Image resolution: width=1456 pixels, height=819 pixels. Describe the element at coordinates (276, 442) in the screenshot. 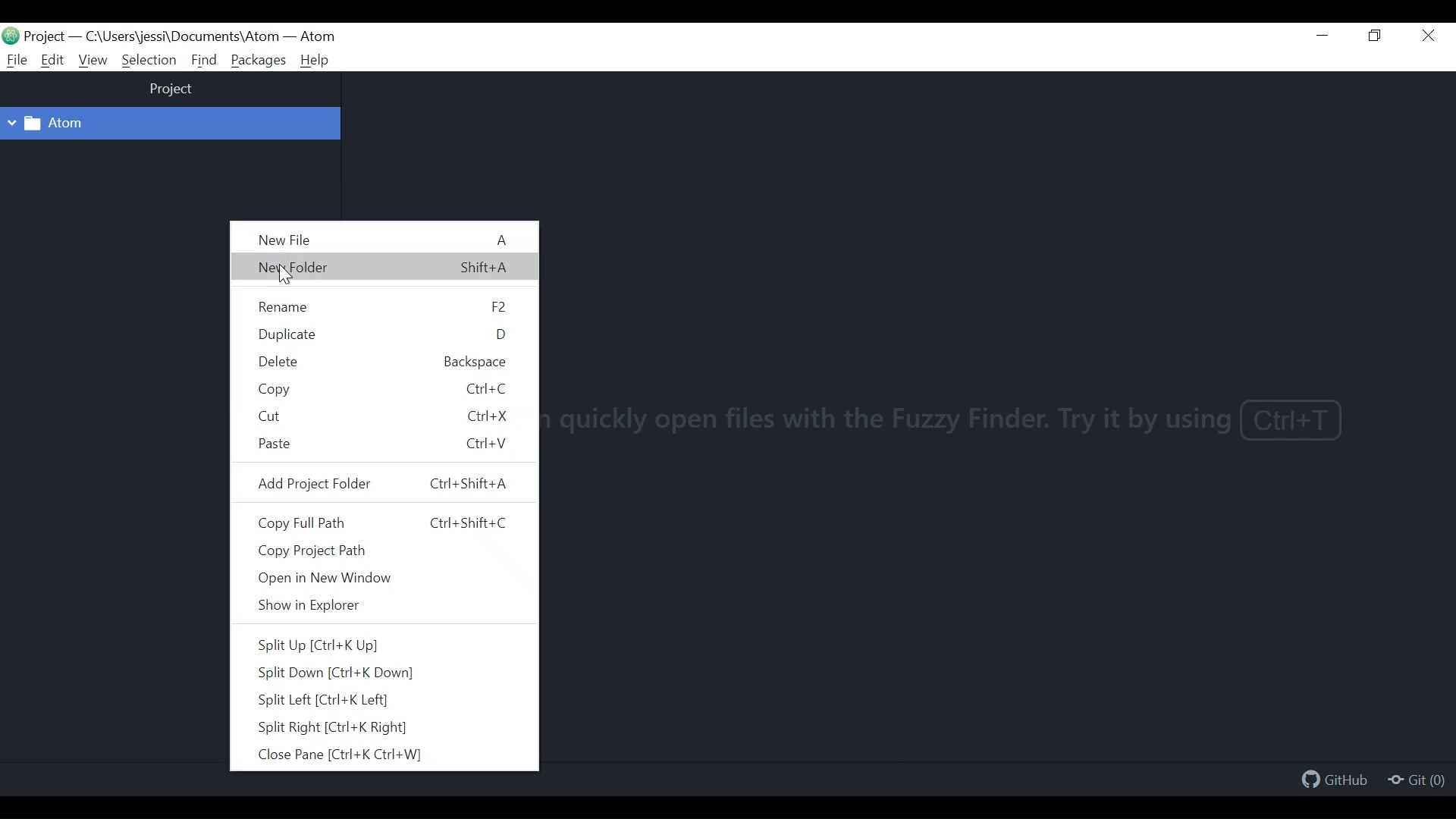

I see `Paste` at that location.